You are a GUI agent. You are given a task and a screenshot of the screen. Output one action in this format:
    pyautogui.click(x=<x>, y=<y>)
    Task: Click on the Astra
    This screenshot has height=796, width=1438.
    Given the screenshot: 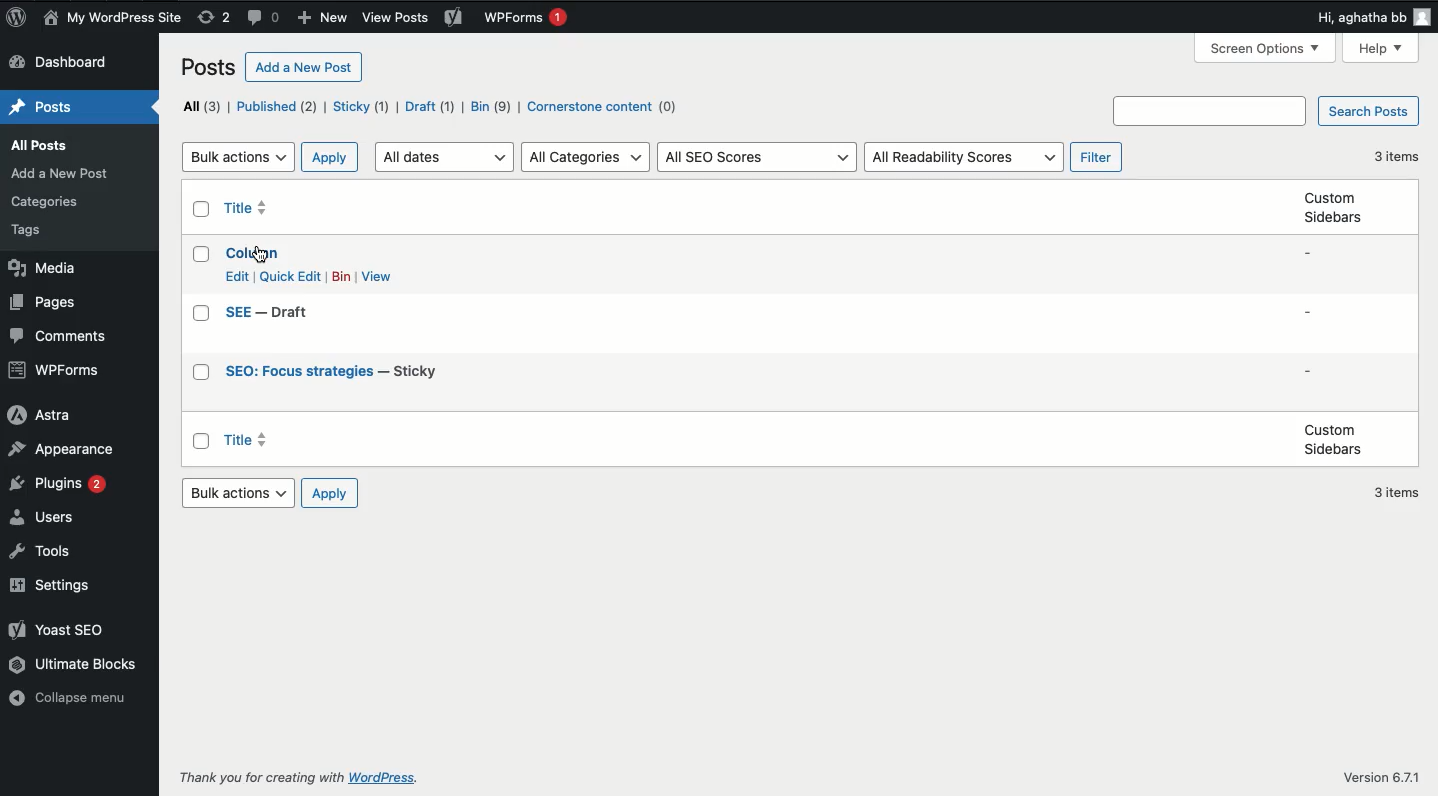 What is the action you would take?
    pyautogui.click(x=47, y=416)
    